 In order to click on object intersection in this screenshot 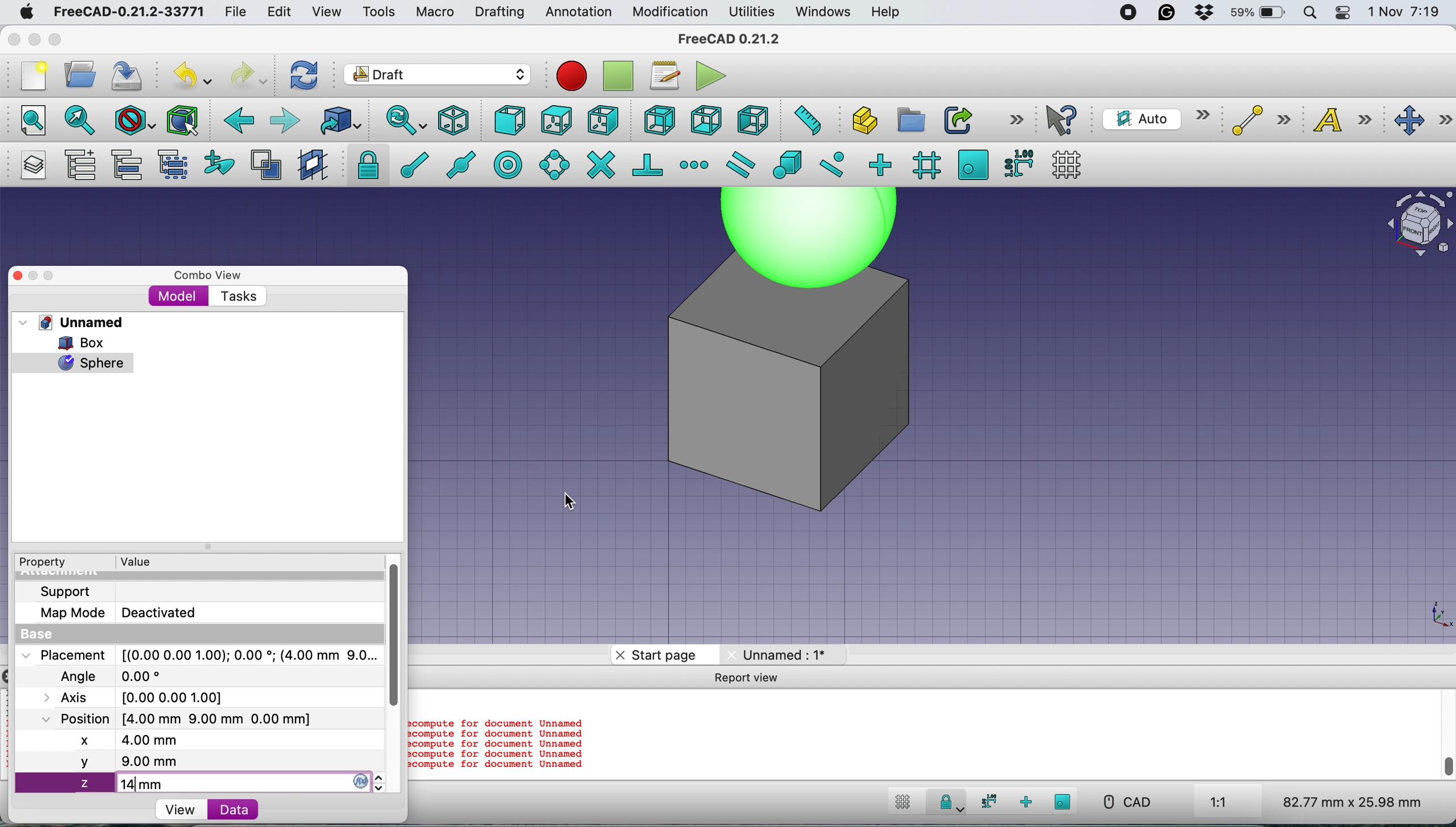, I will do `click(1418, 222)`.